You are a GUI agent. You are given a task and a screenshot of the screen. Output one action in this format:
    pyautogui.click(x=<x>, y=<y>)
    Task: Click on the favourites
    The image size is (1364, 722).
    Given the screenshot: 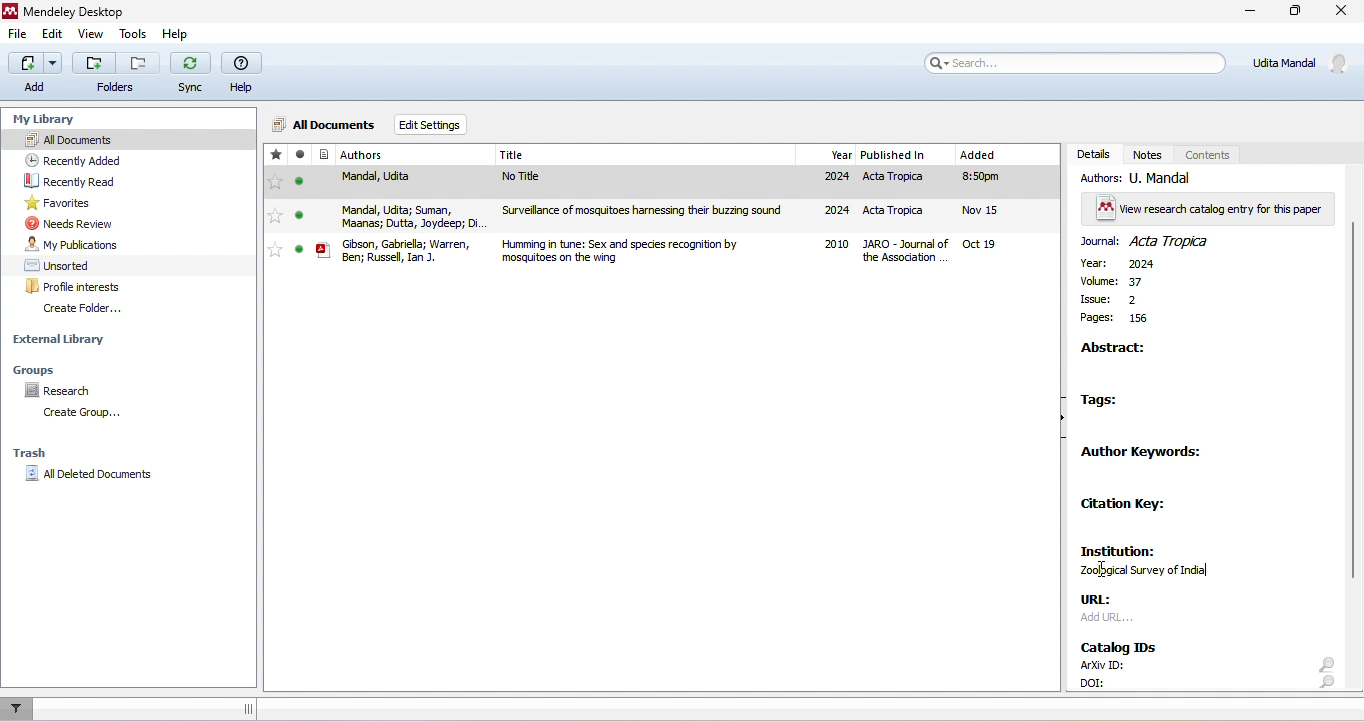 What is the action you would take?
    pyautogui.click(x=65, y=203)
    